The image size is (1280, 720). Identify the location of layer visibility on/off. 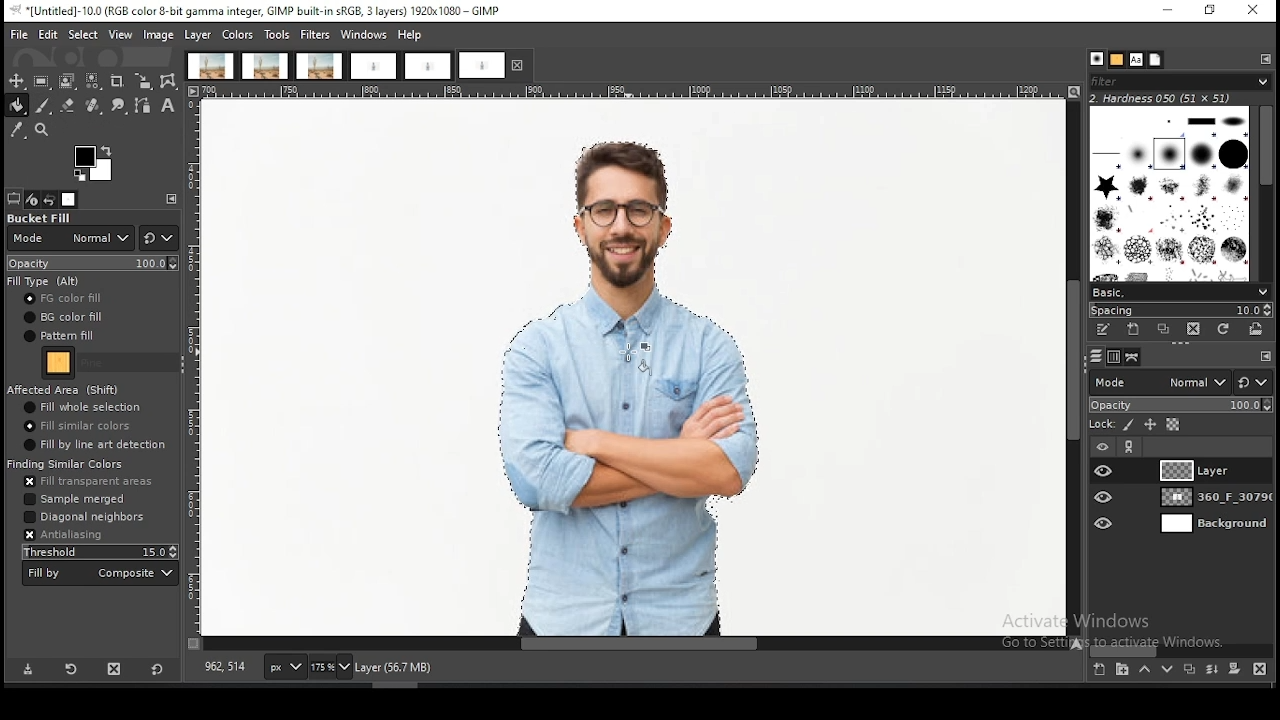
(1105, 525).